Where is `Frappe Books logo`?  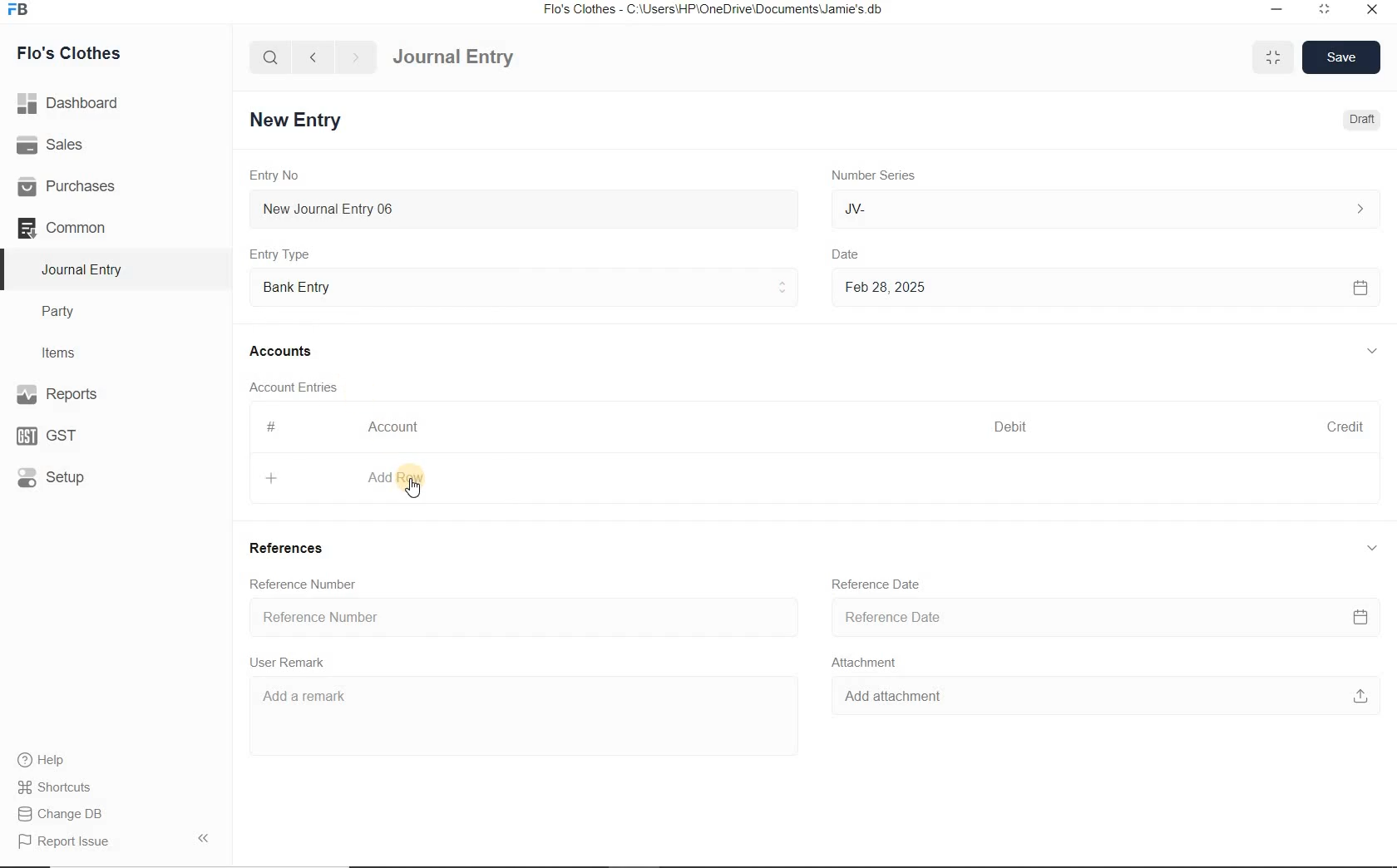
Frappe Books logo is located at coordinates (22, 12).